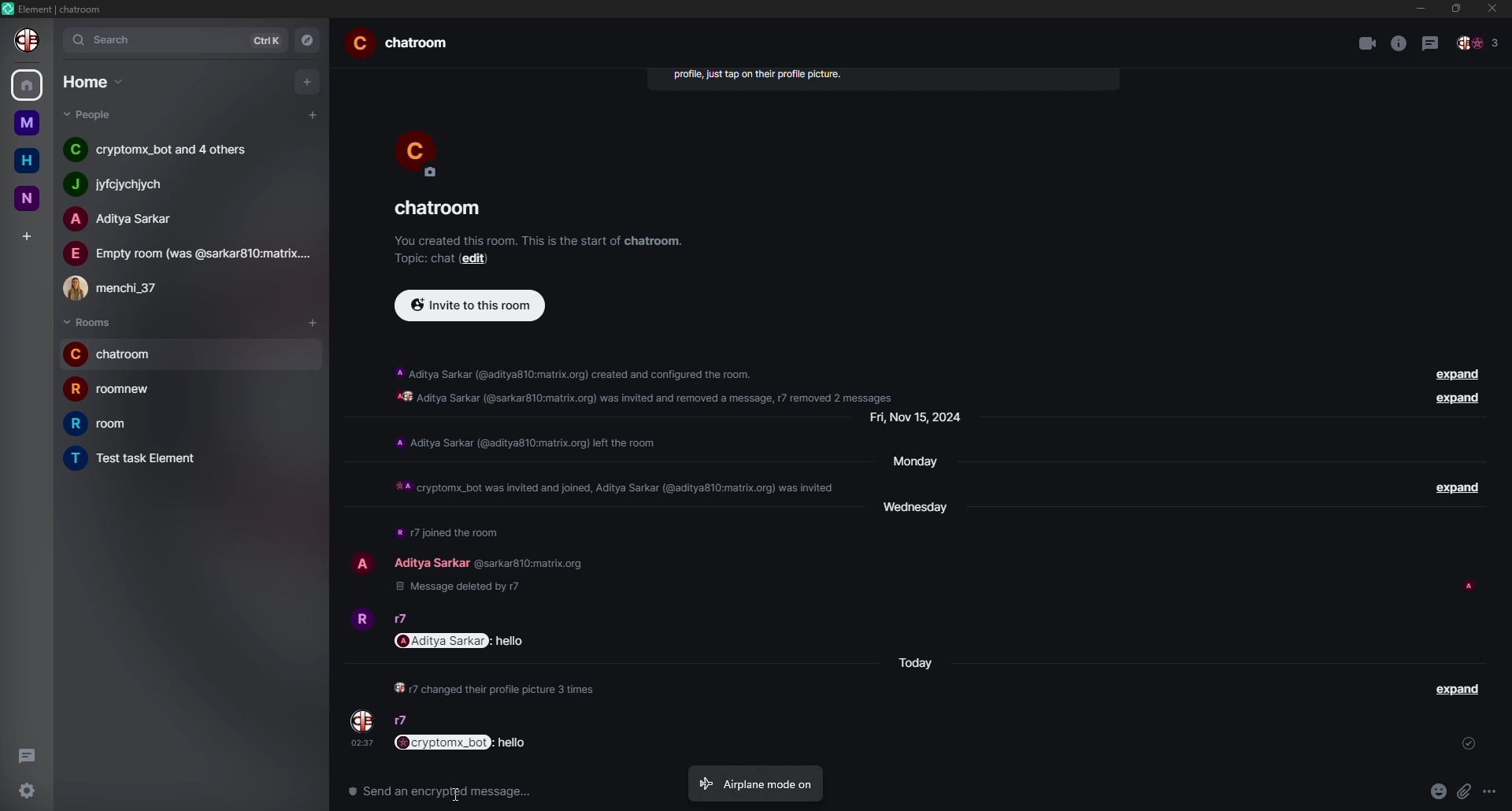 Image resolution: width=1512 pixels, height=811 pixels. Describe the element at coordinates (534, 562) in the screenshot. I see `id` at that location.